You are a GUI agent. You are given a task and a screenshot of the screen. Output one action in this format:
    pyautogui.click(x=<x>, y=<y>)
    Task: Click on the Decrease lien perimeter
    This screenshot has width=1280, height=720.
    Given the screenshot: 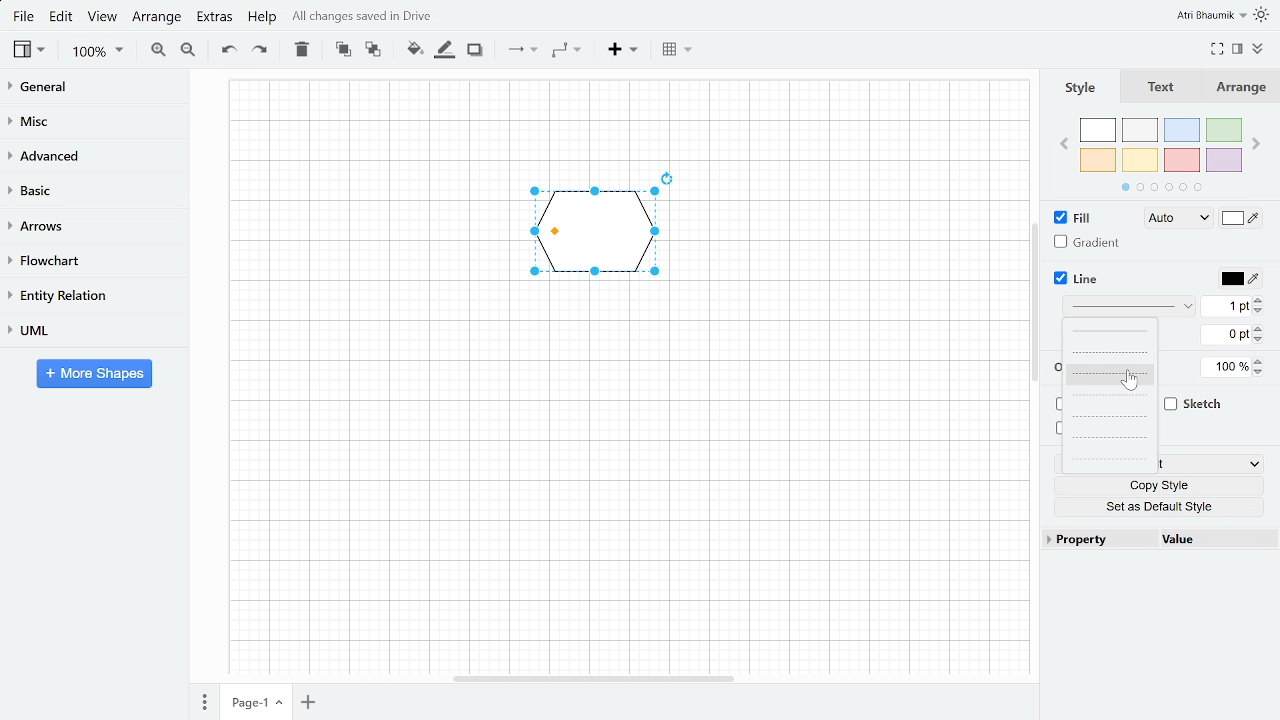 What is the action you would take?
    pyautogui.click(x=1260, y=340)
    